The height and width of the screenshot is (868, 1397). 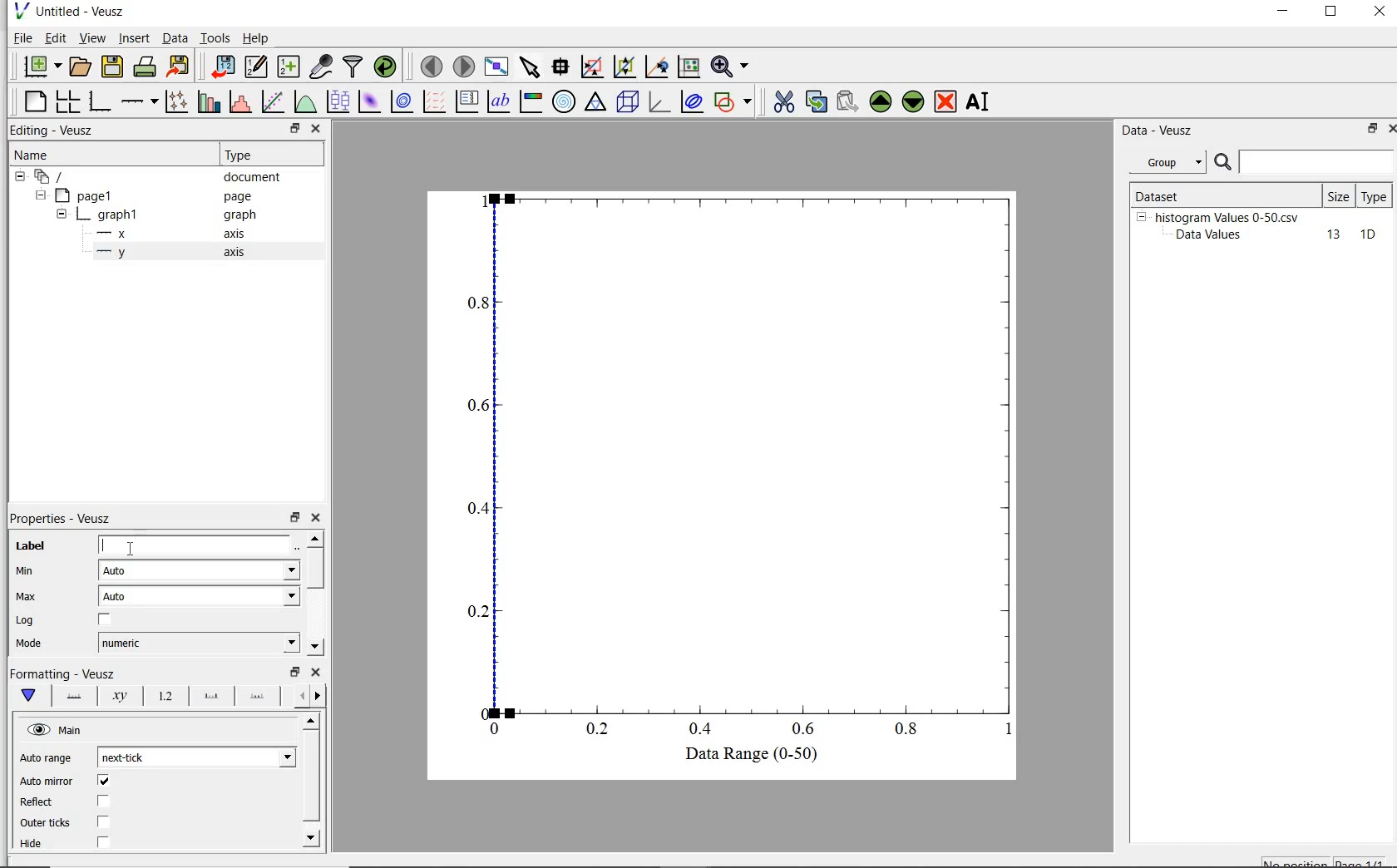 I want to click on label, so click(x=31, y=546).